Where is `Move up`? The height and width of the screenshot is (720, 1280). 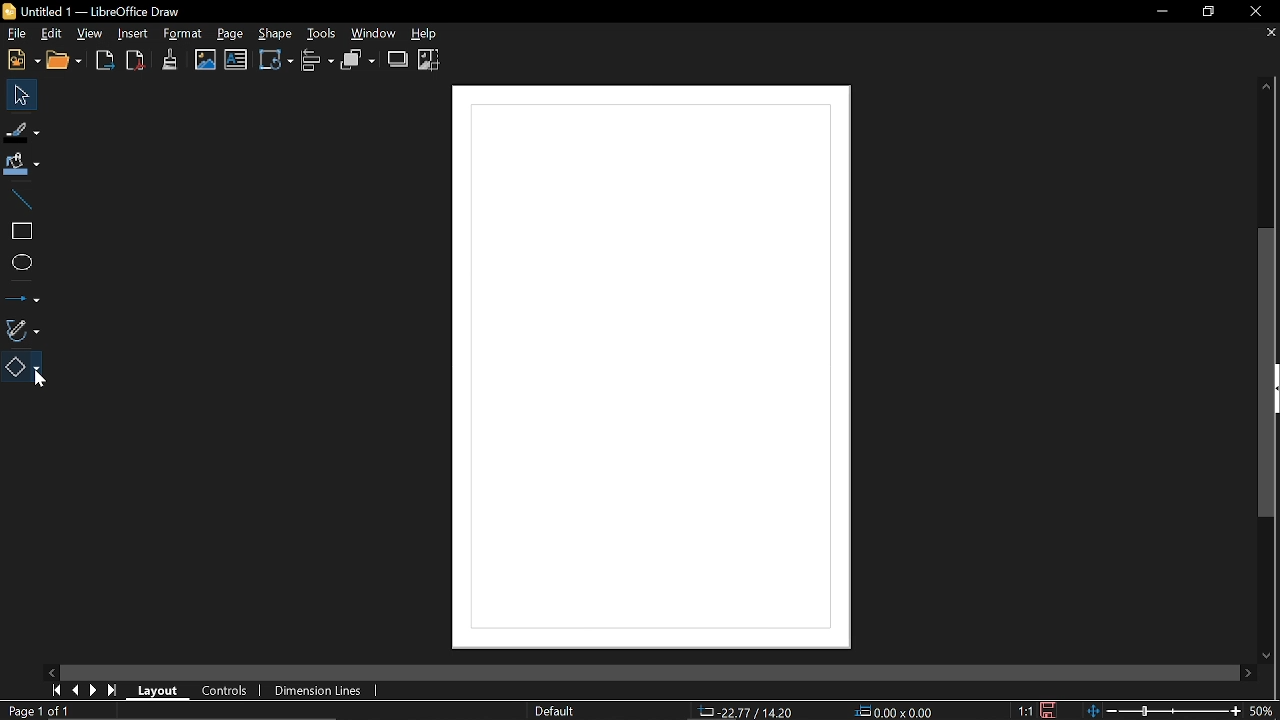
Move up is located at coordinates (1267, 86).